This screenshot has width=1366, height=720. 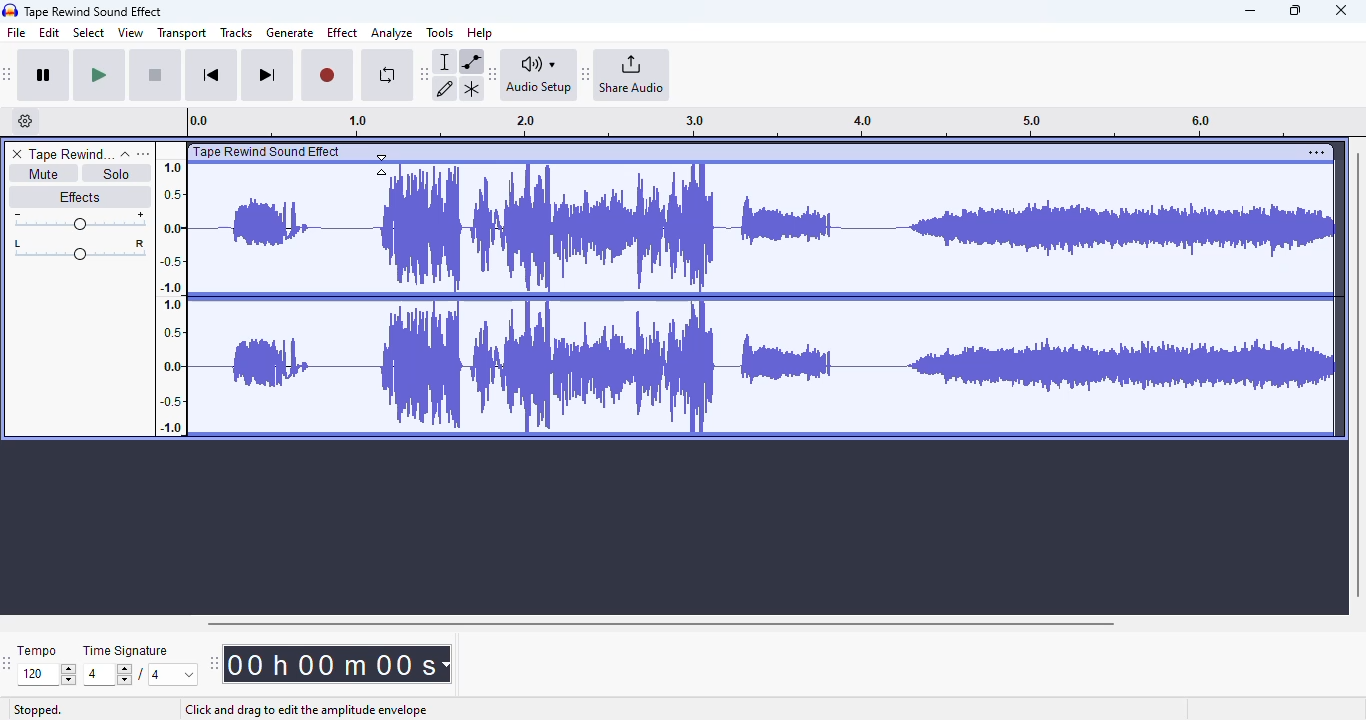 I want to click on analyze, so click(x=392, y=33).